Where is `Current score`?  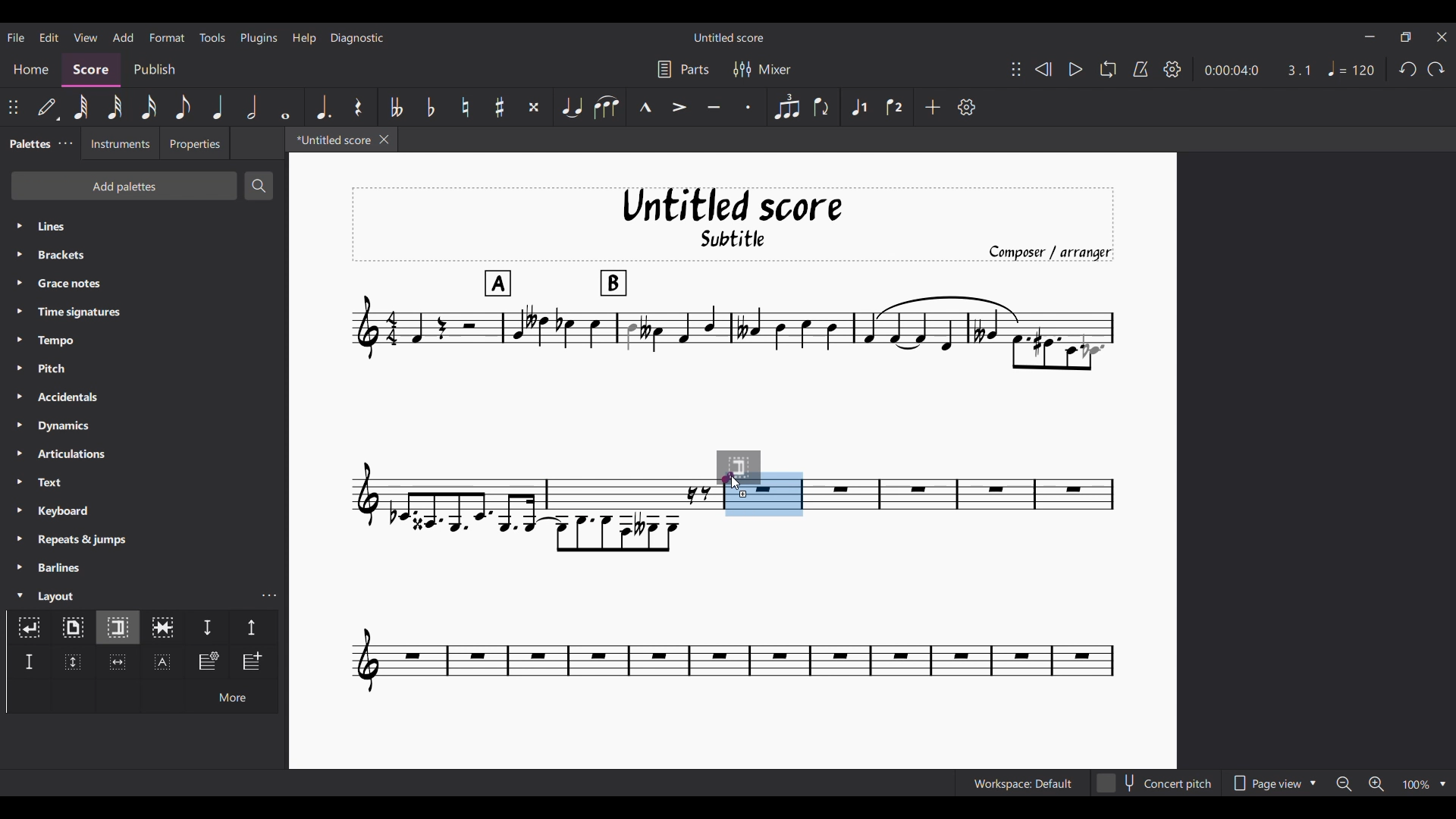
Current score is located at coordinates (732, 318).